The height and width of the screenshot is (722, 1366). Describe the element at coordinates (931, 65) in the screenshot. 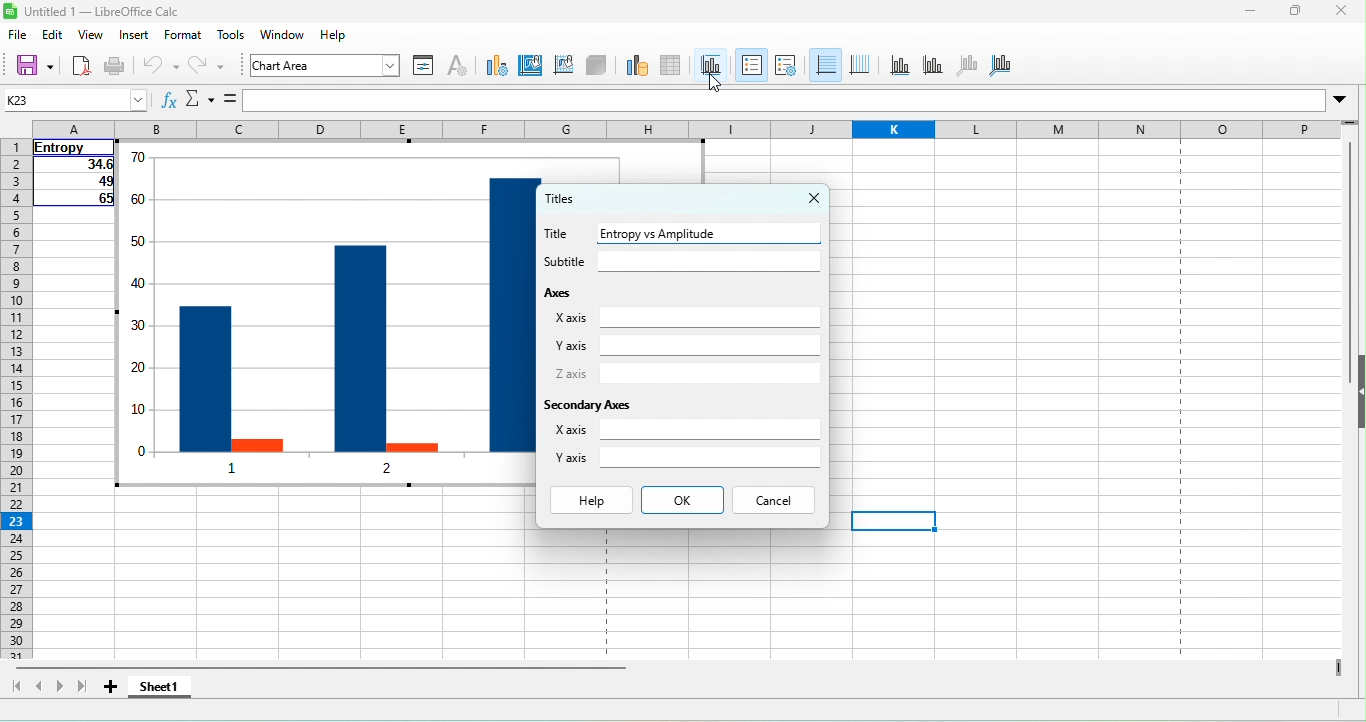

I see `y axis` at that location.